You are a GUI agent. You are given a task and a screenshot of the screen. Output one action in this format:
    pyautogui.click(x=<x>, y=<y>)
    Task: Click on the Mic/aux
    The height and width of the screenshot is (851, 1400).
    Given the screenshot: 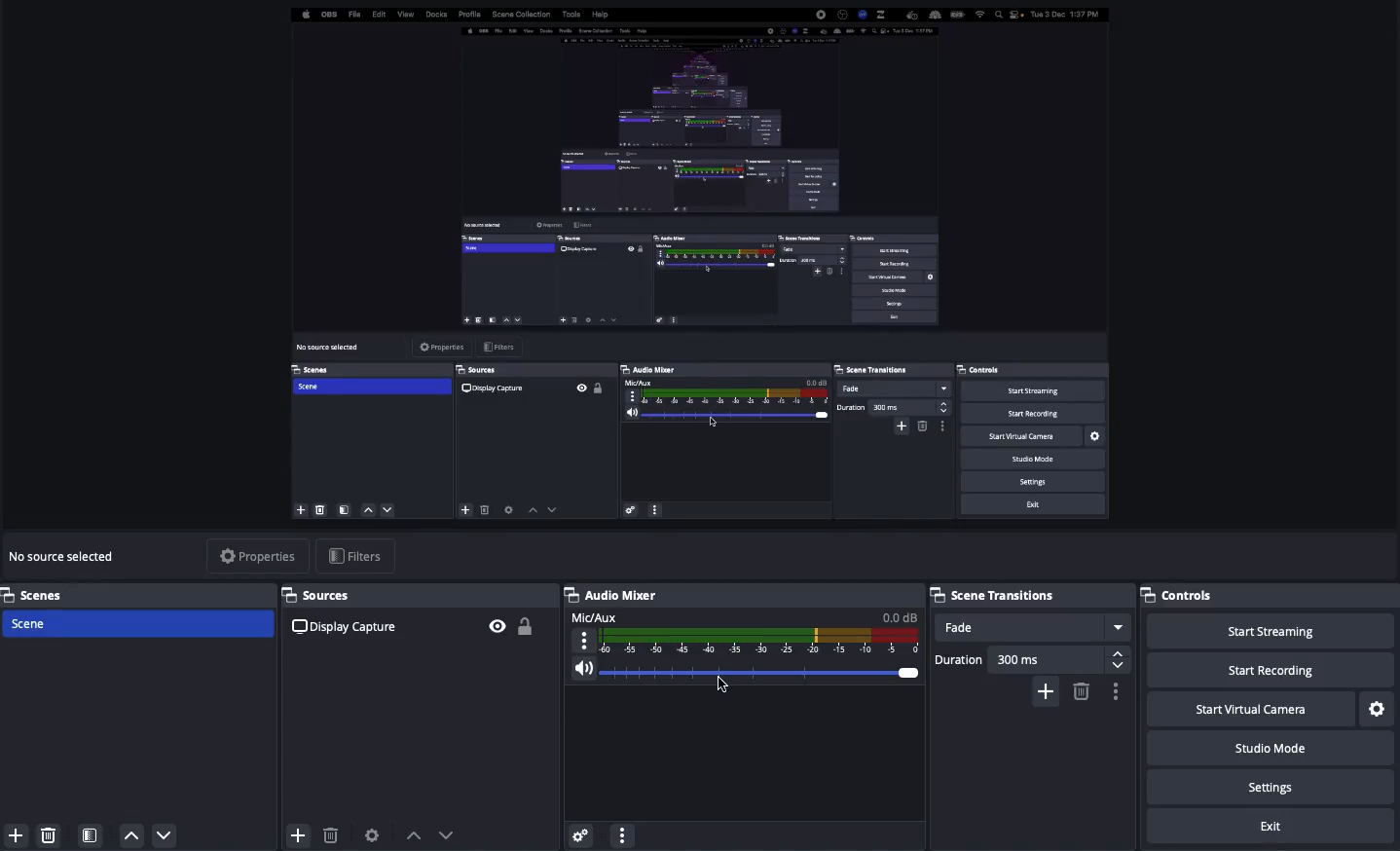 What is the action you would take?
    pyautogui.click(x=746, y=632)
    